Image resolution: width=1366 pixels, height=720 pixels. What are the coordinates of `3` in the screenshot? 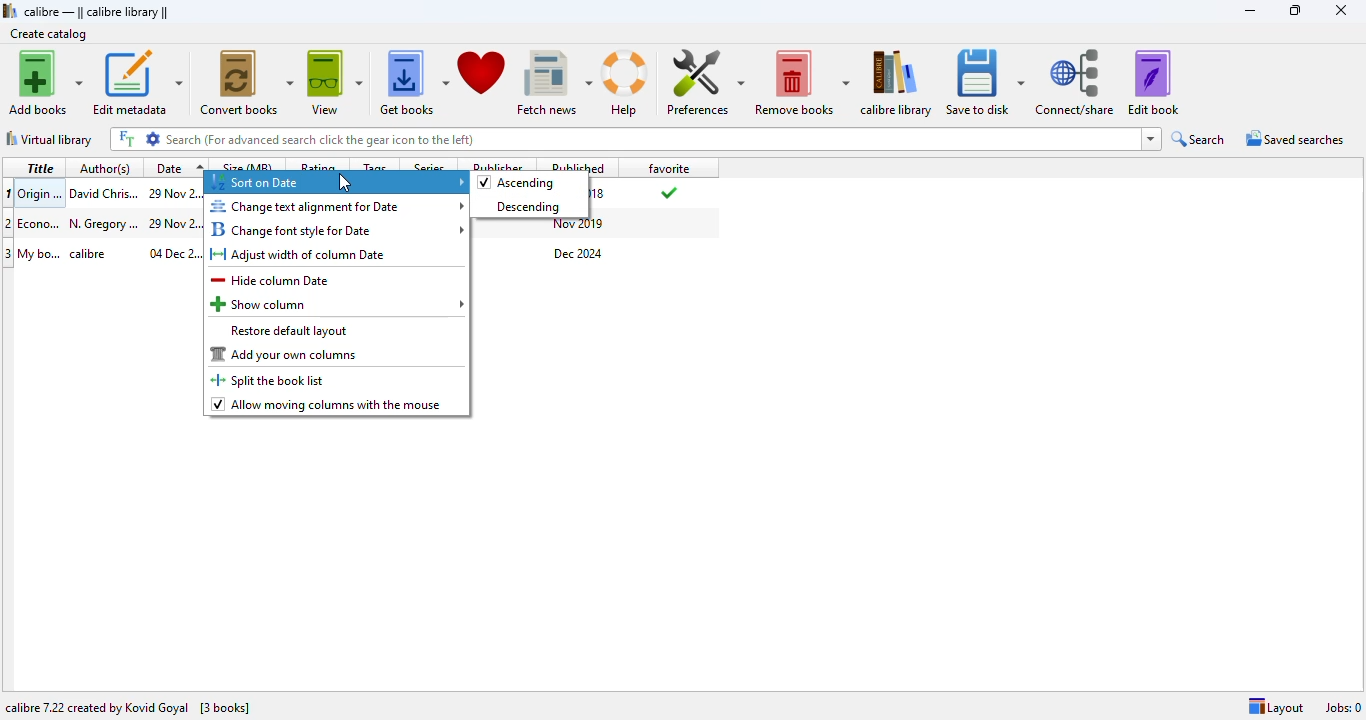 It's located at (9, 254).